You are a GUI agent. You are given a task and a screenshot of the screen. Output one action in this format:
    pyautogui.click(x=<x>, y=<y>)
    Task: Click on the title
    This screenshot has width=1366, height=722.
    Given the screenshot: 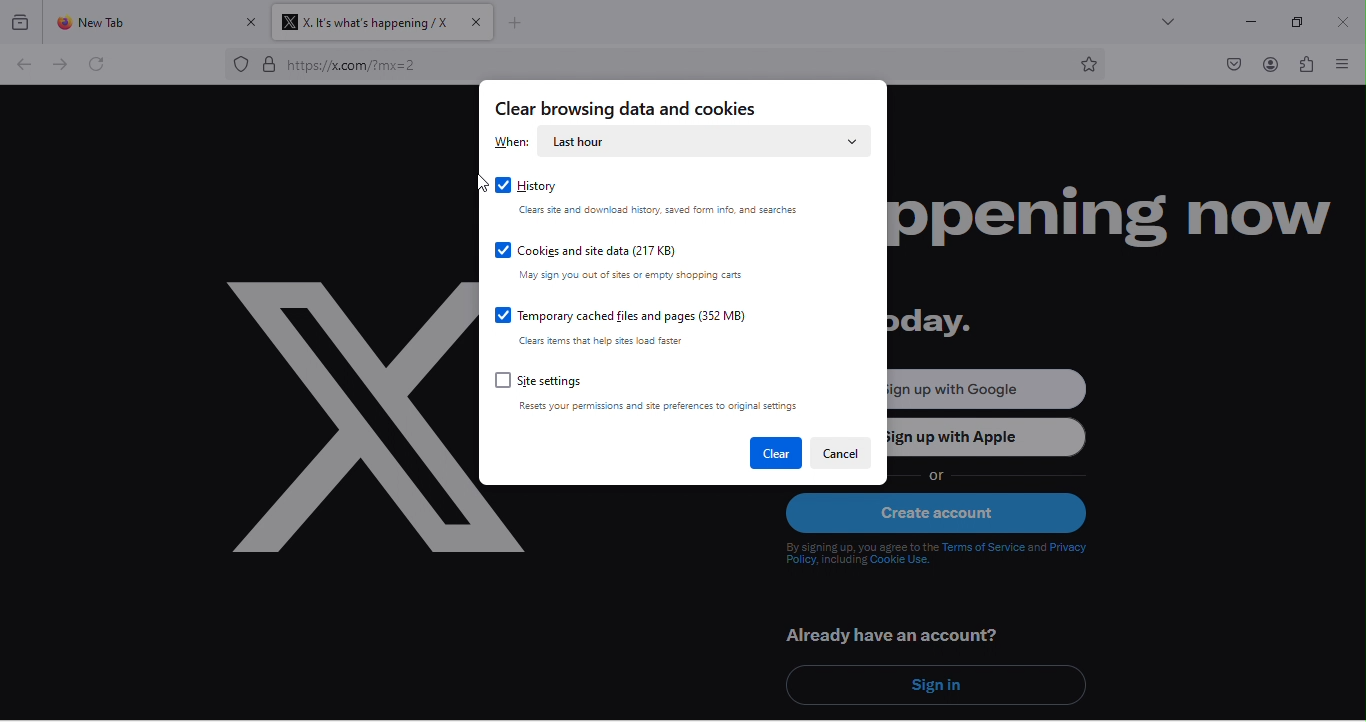 What is the action you would take?
    pyautogui.click(x=381, y=23)
    